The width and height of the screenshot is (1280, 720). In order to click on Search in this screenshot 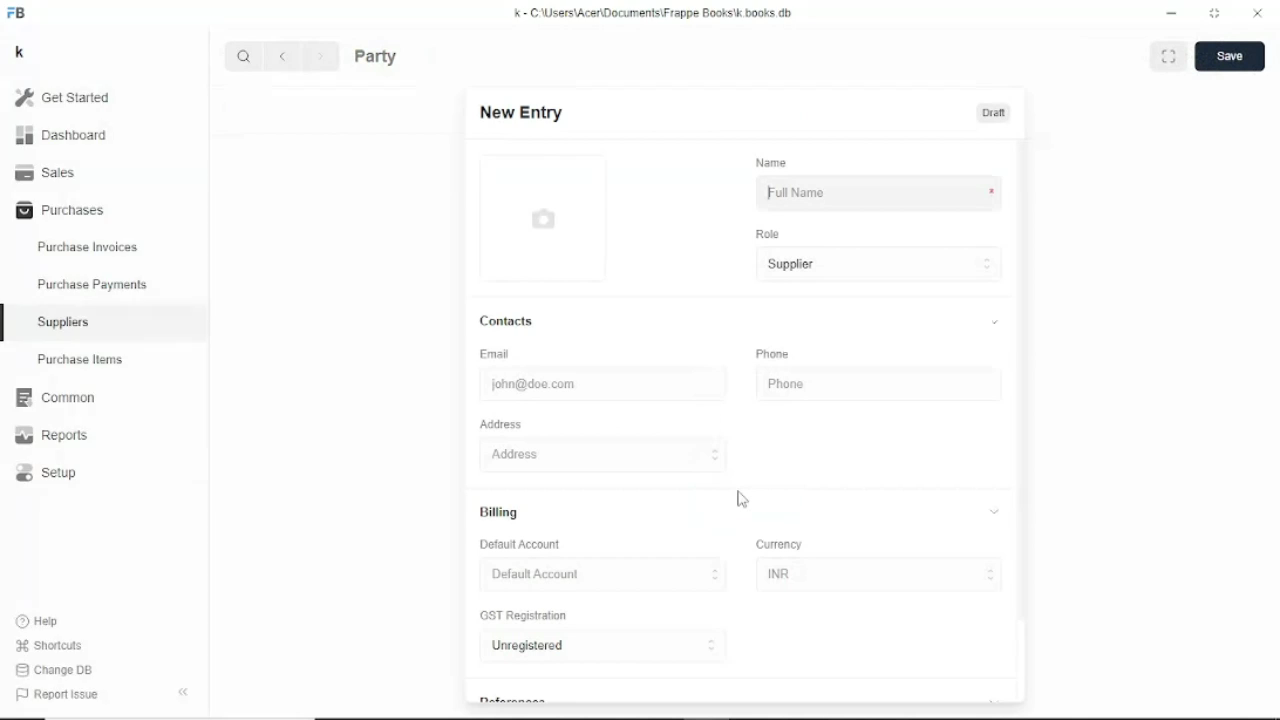, I will do `click(244, 56)`.